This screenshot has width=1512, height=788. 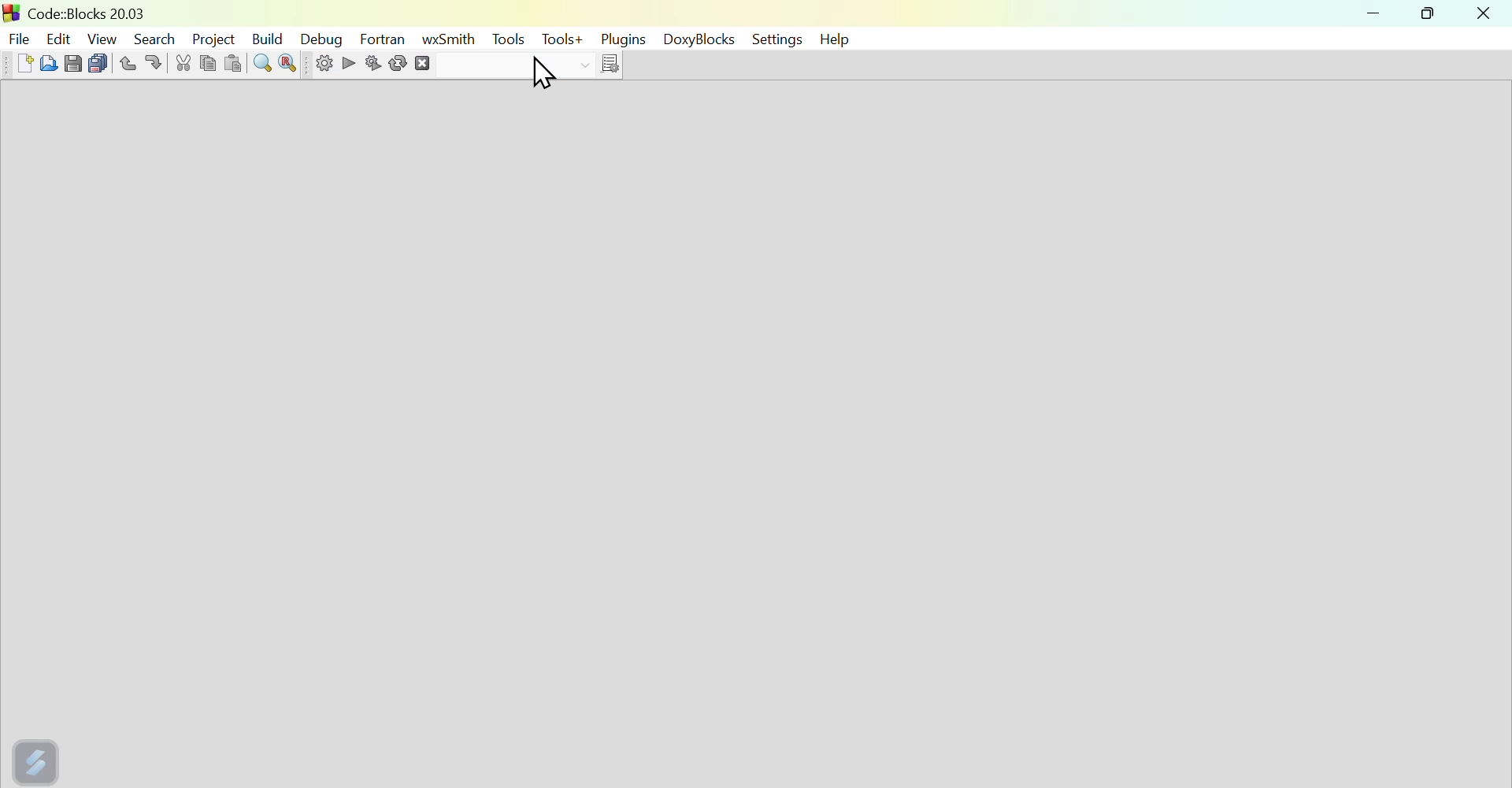 I want to click on Replay, so click(x=398, y=65).